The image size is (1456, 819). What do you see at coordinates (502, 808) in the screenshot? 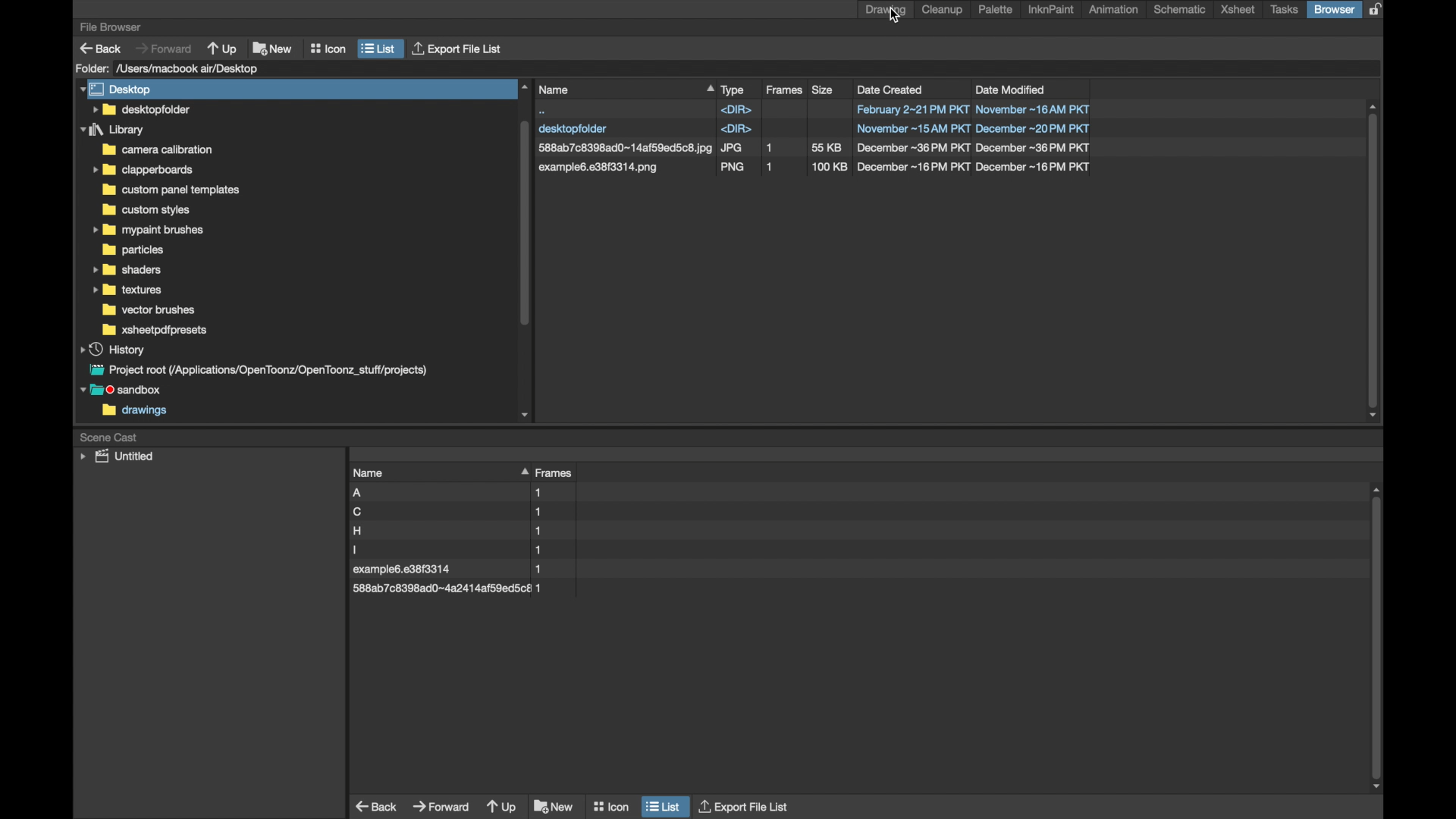
I see `up` at bounding box center [502, 808].